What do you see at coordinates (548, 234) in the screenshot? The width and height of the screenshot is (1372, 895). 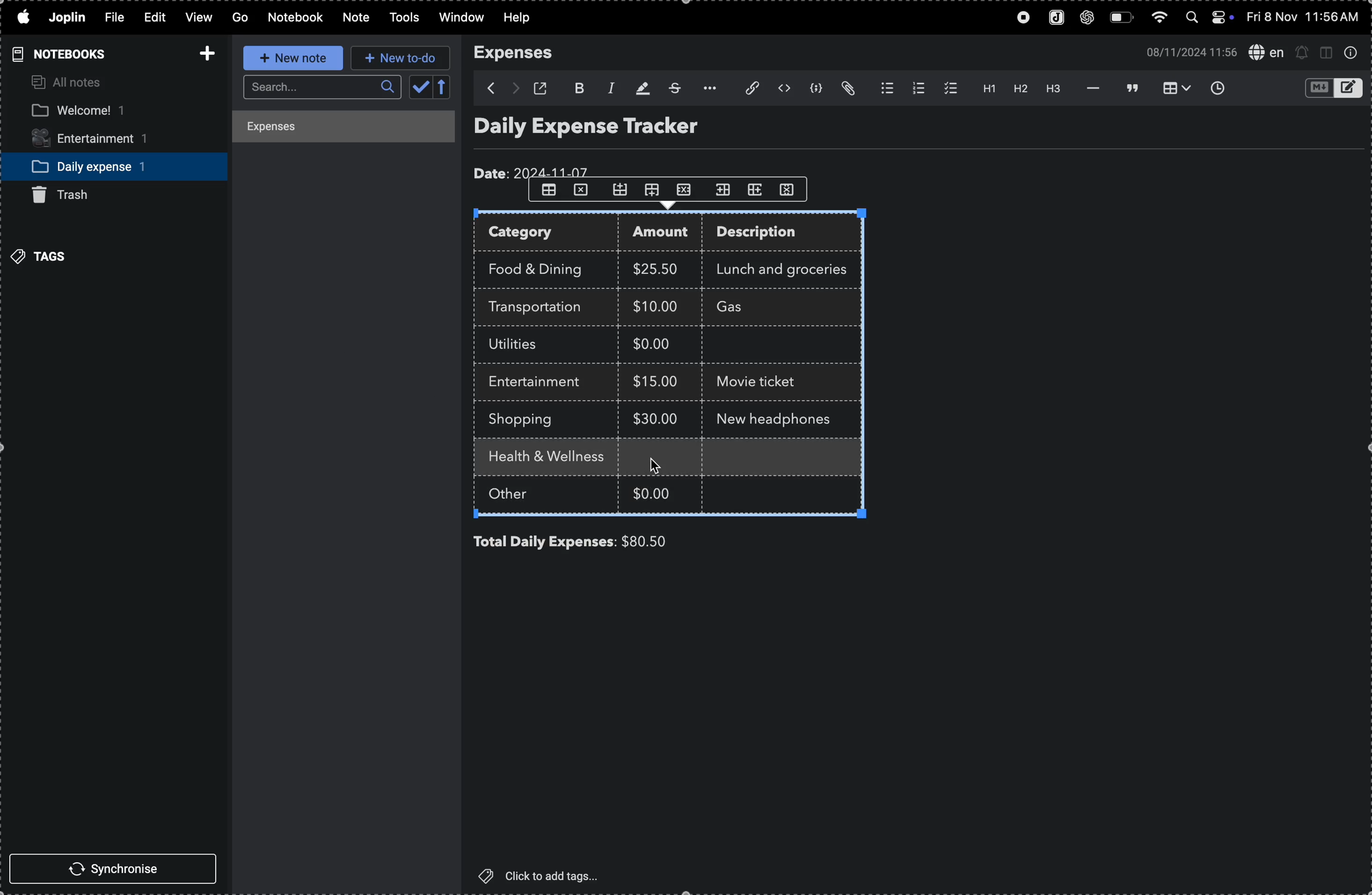 I see `category` at bounding box center [548, 234].